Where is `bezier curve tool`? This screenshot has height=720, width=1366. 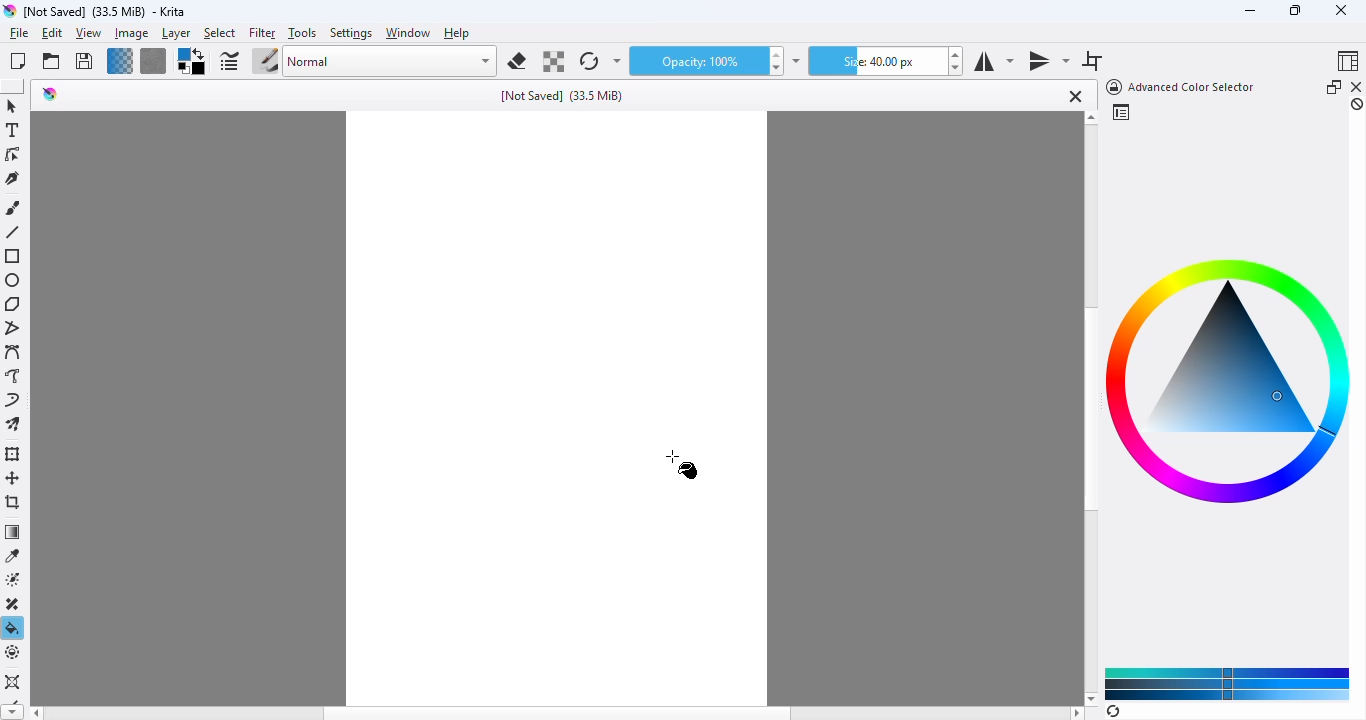 bezier curve tool is located at coordinates (14, 351).